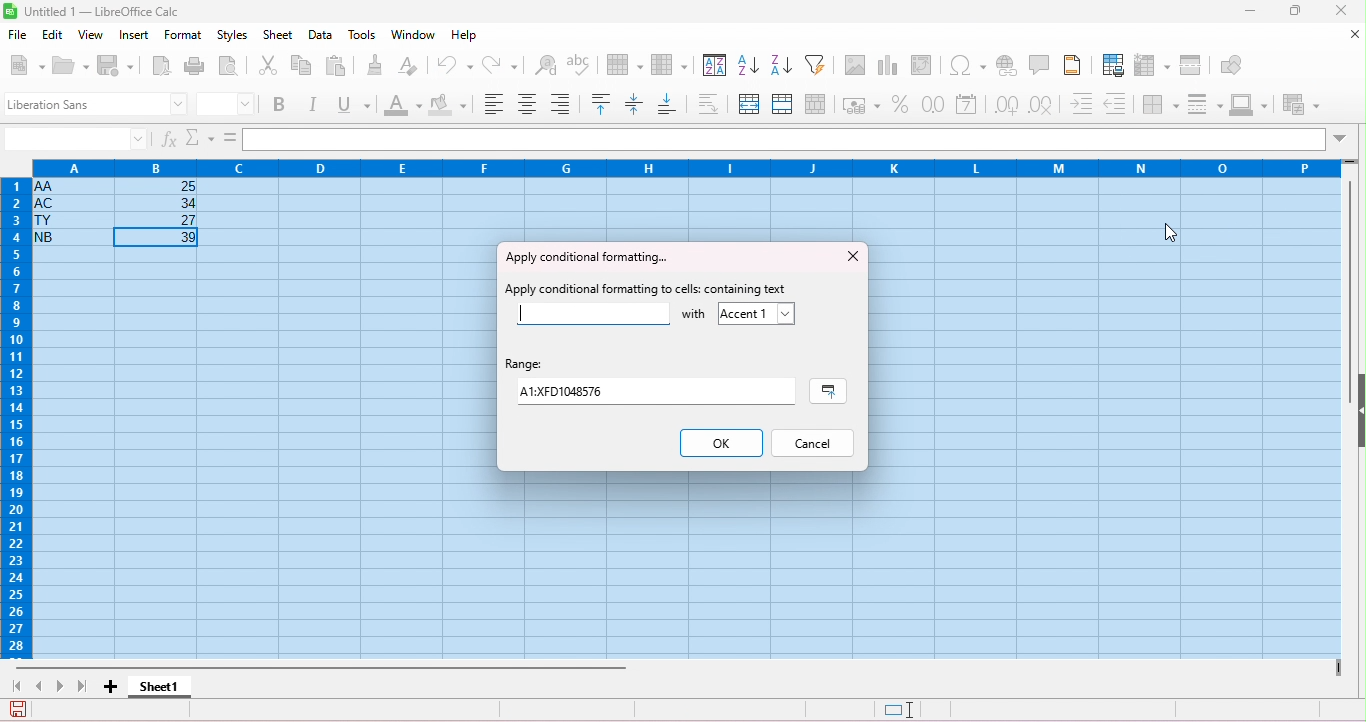  Describe the element at coordinates (63, 686) in the screenshot. I see `next sheet` at that location.